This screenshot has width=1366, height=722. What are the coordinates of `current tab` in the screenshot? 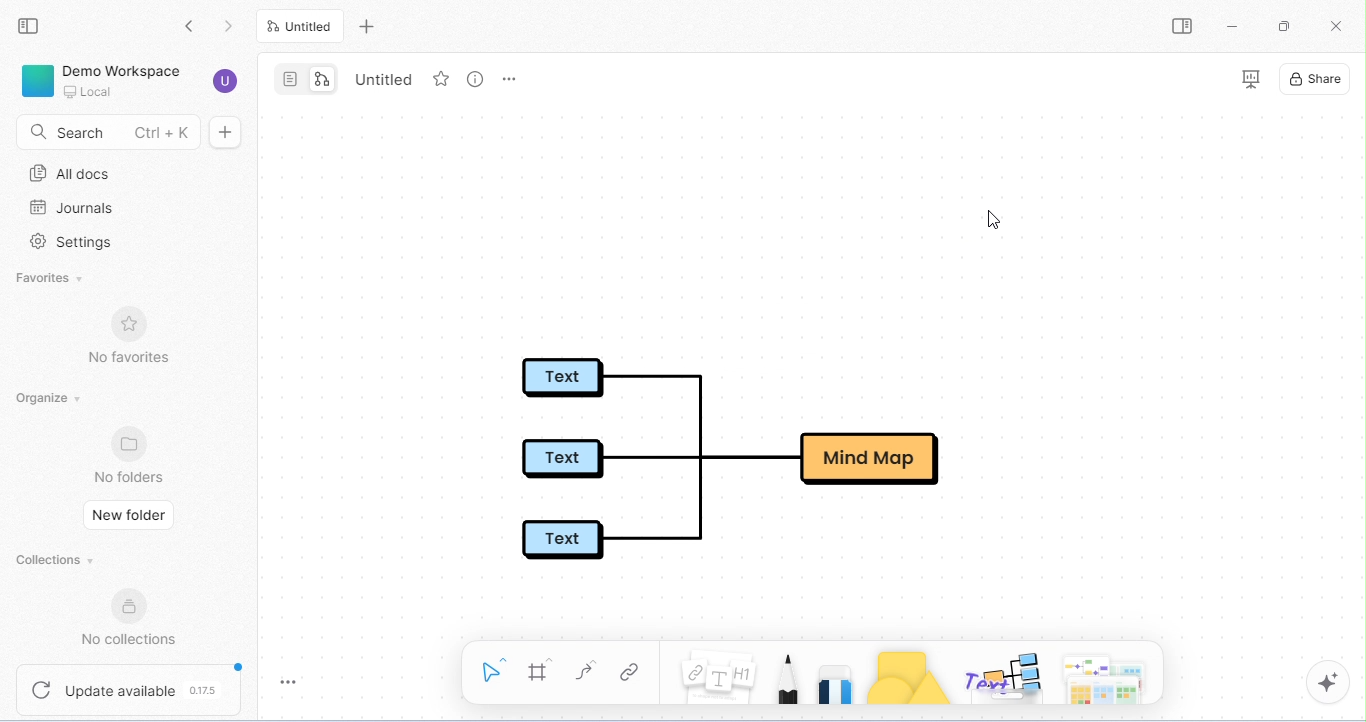 It's located at (298, 25).